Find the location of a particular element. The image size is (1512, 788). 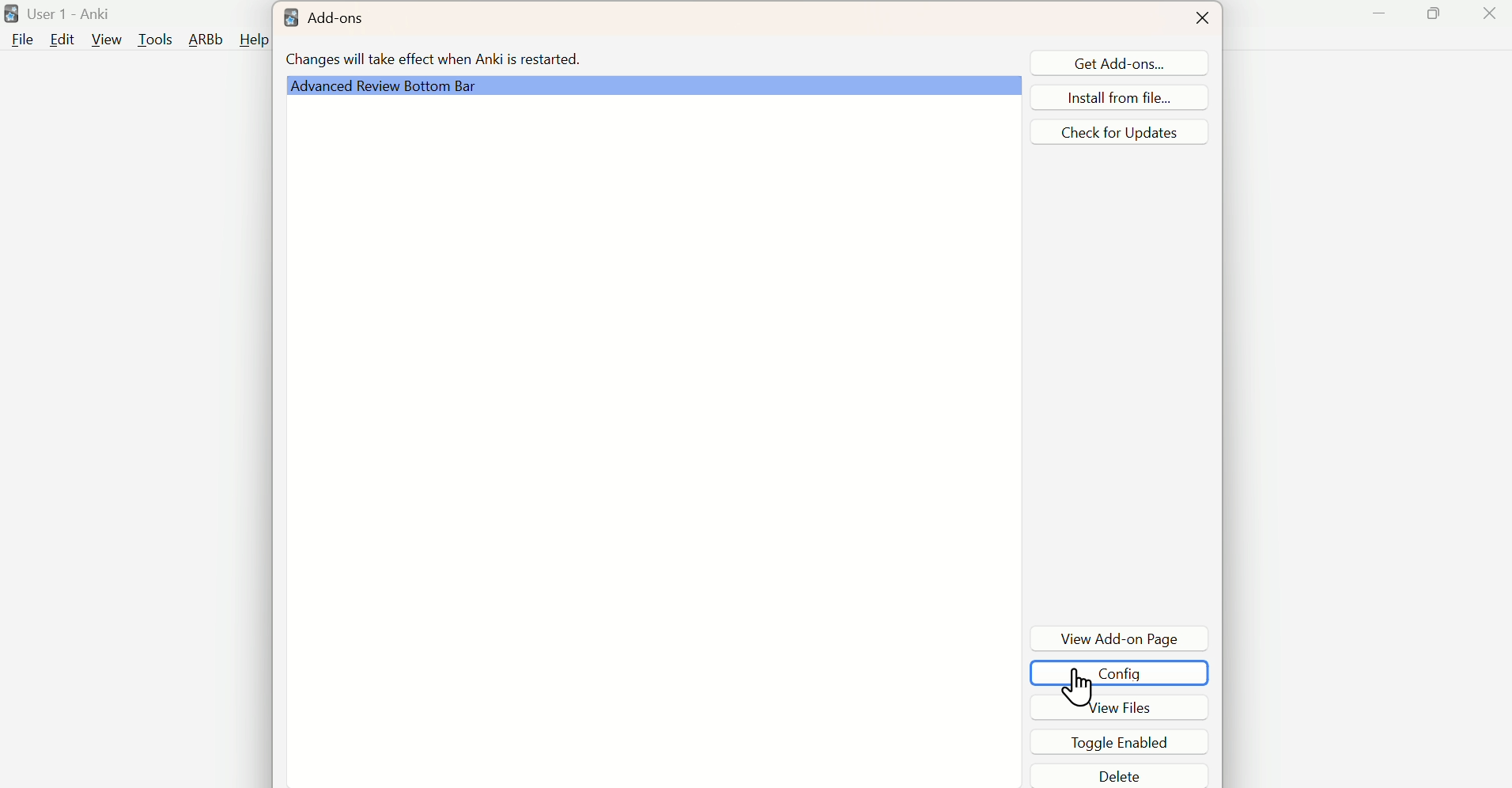

ARBb is located at coordinates (207, 40).